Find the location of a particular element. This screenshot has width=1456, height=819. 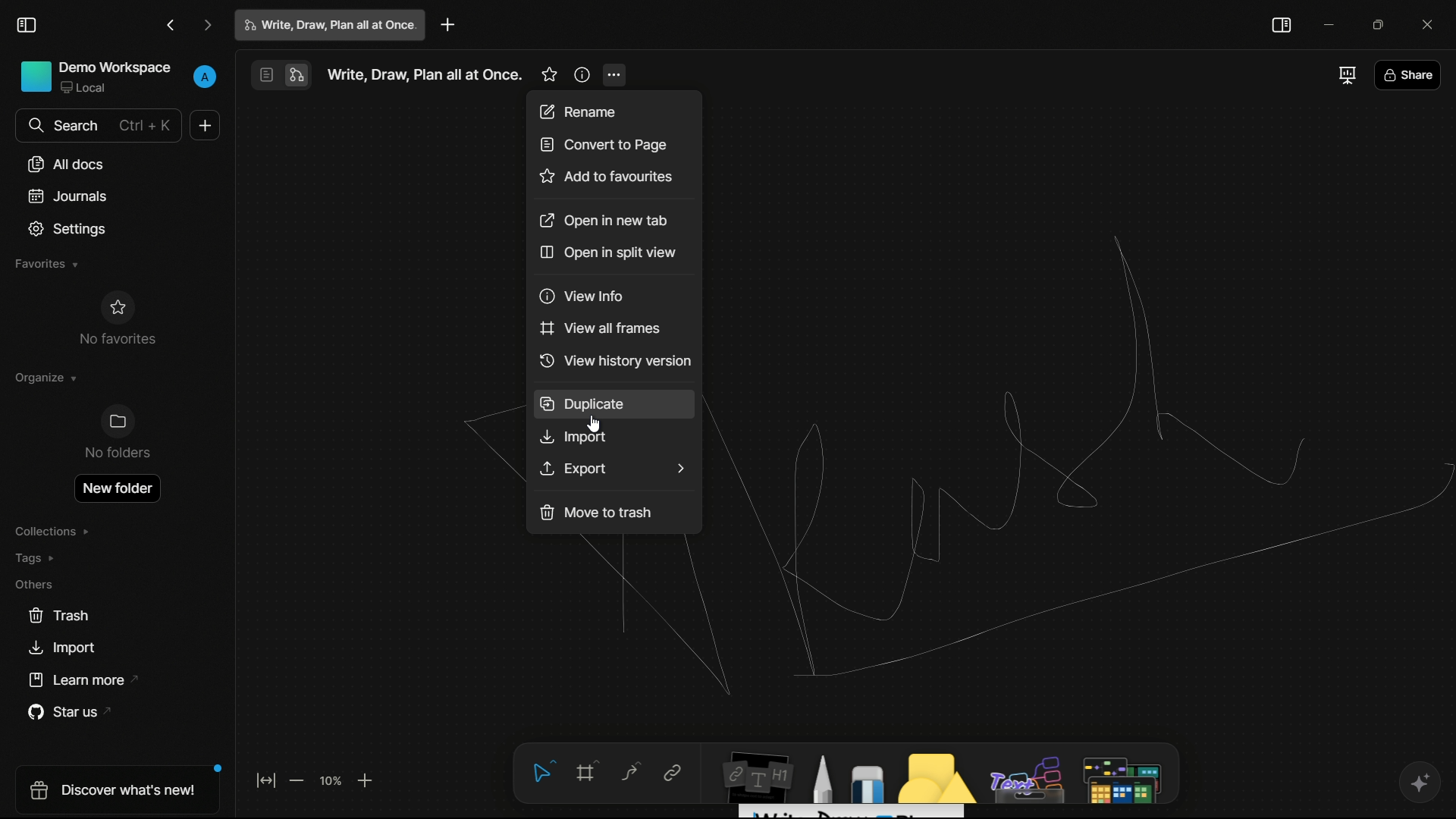

go back is located at coordinates (172, 27).